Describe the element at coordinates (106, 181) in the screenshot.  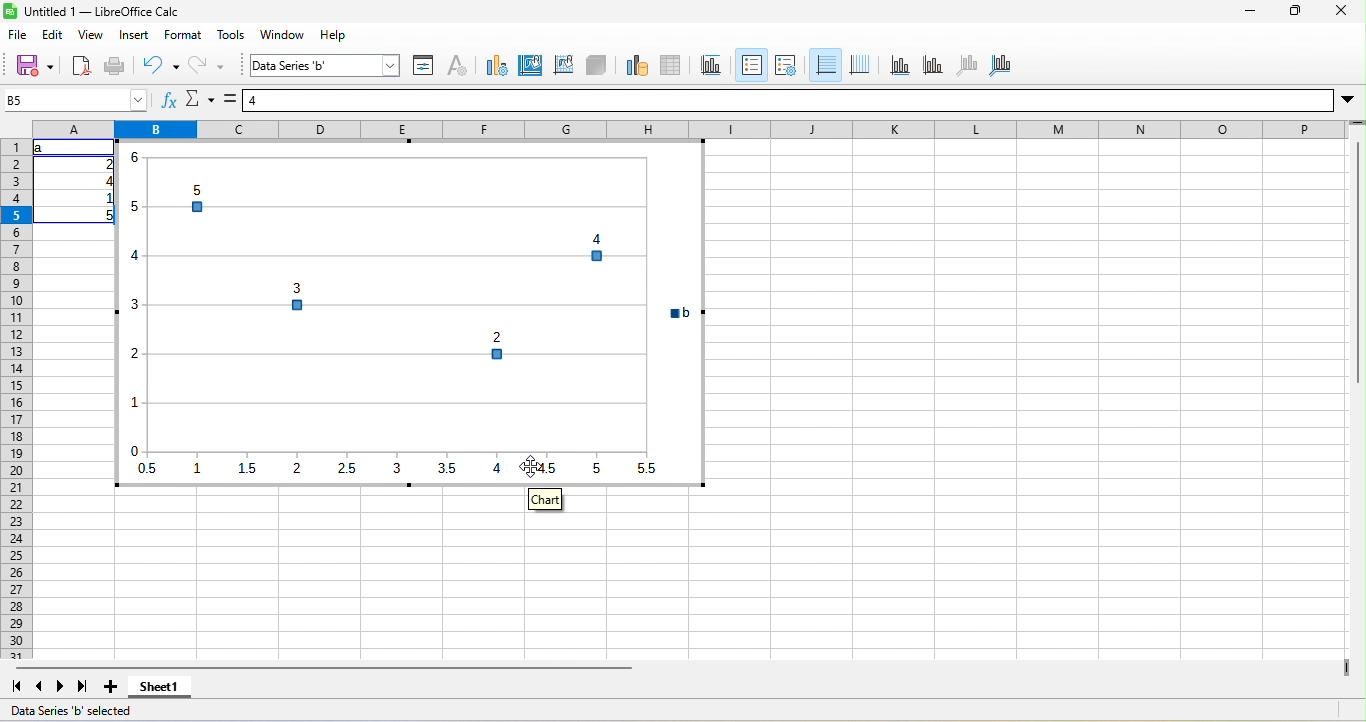
I see `4` at that location.